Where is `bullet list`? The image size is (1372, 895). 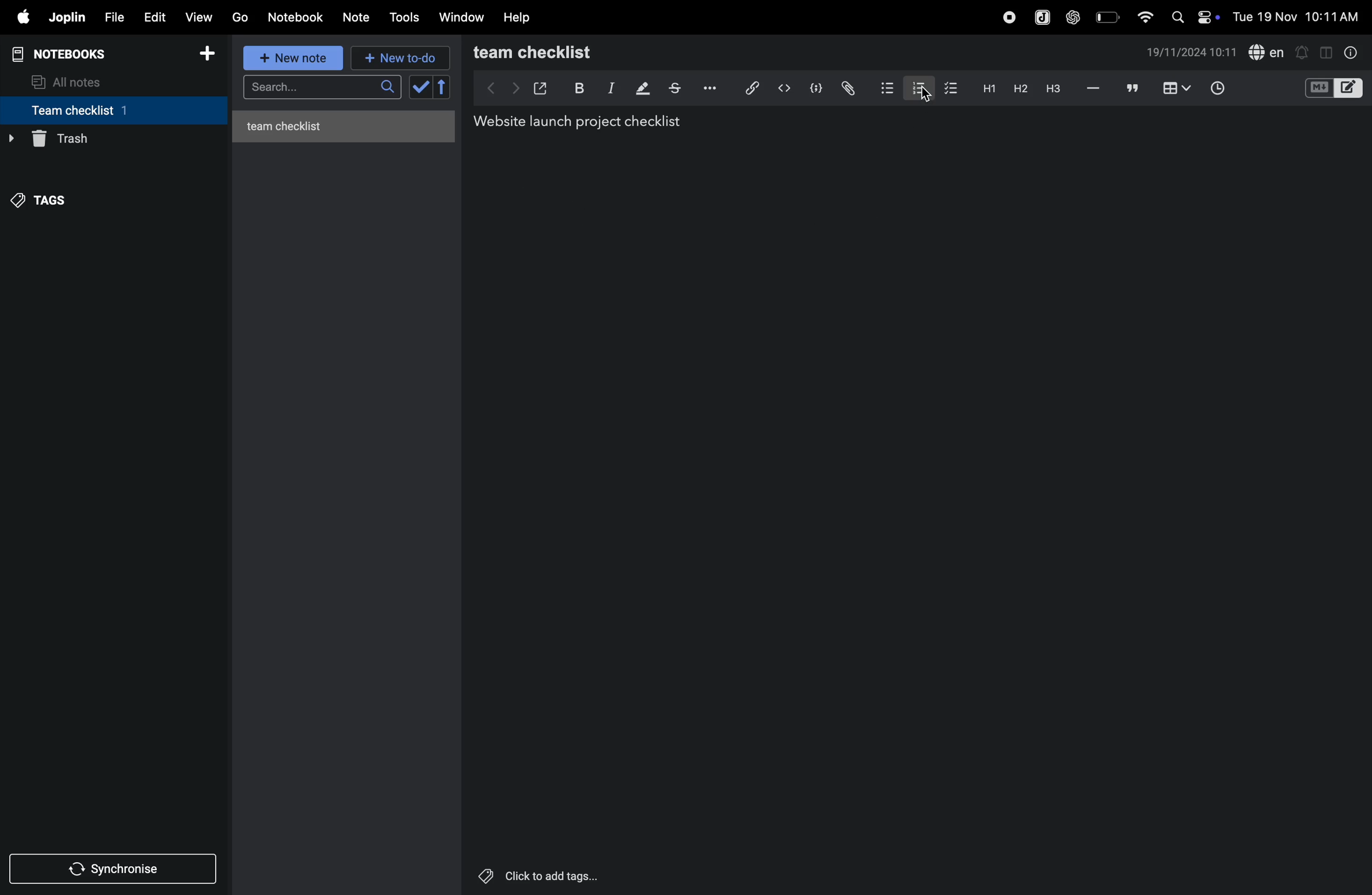
bullet list is located at coordinates (884, 88).